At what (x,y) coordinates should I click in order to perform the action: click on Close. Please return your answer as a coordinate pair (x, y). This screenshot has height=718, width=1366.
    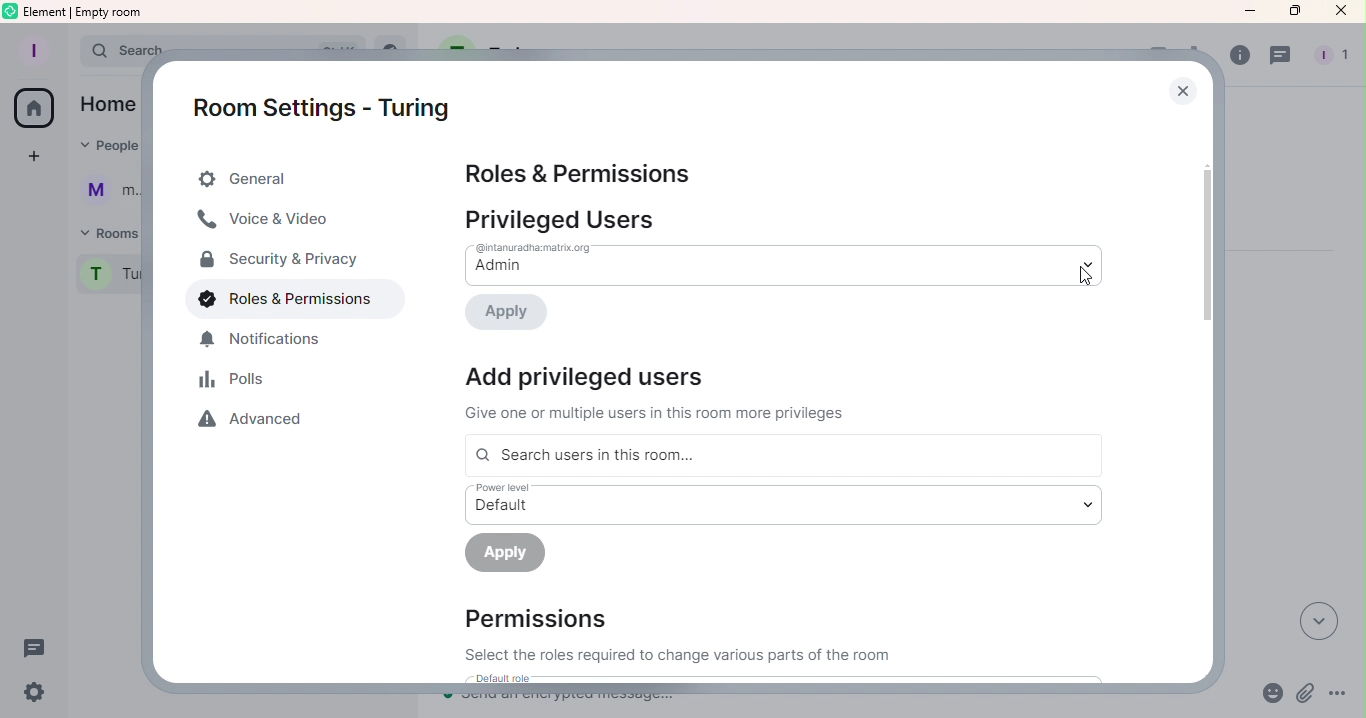
    Looking at the image, I should click on (1337, 11).